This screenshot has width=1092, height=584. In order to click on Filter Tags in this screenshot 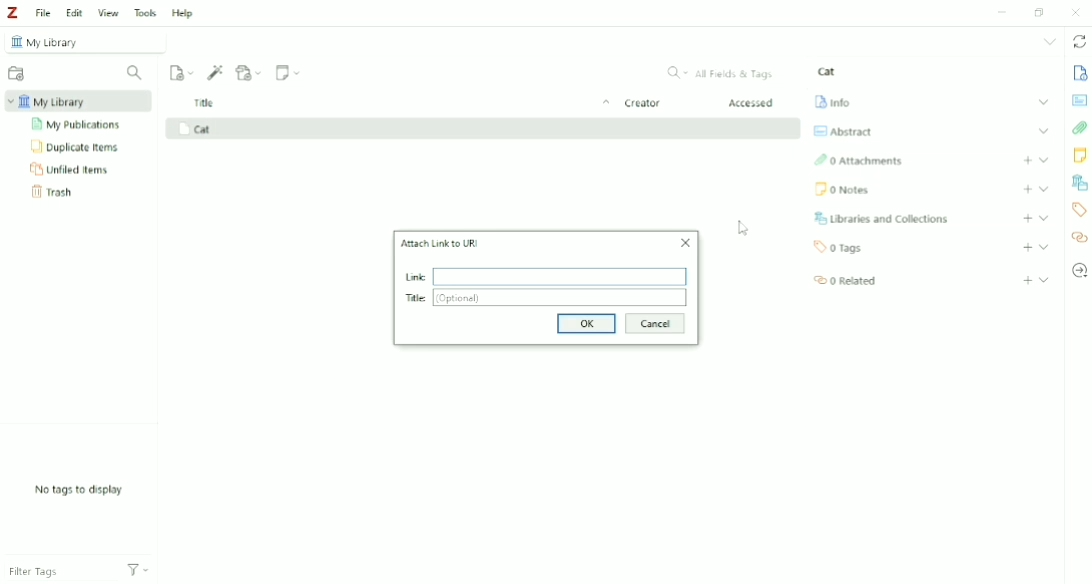, I will do `click(57, 567)`.